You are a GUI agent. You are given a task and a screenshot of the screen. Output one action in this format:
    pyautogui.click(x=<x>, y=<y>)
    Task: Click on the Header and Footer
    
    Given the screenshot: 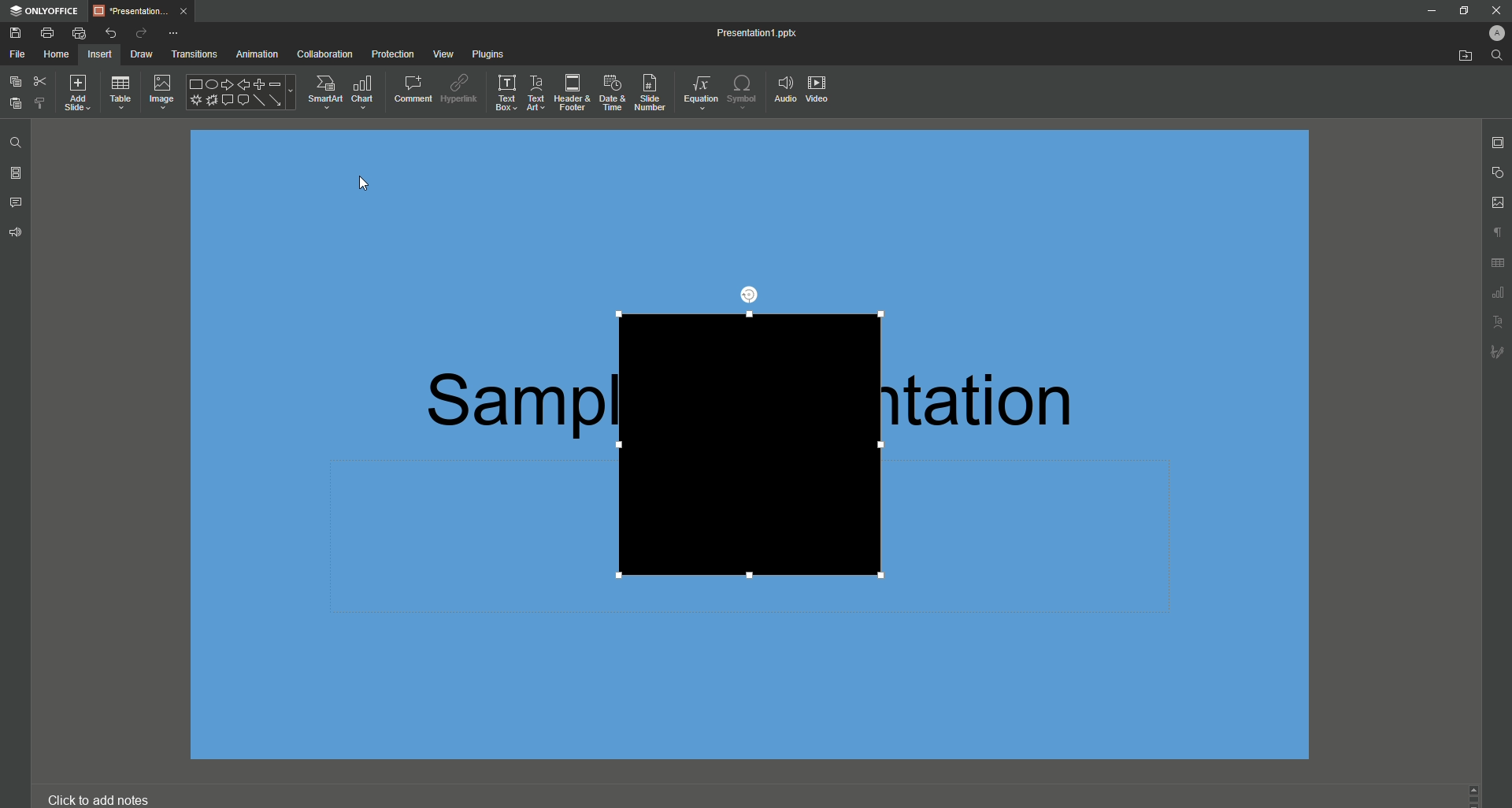 What is the action you would take?
    pyautogui.click(x=569, y=93)
    